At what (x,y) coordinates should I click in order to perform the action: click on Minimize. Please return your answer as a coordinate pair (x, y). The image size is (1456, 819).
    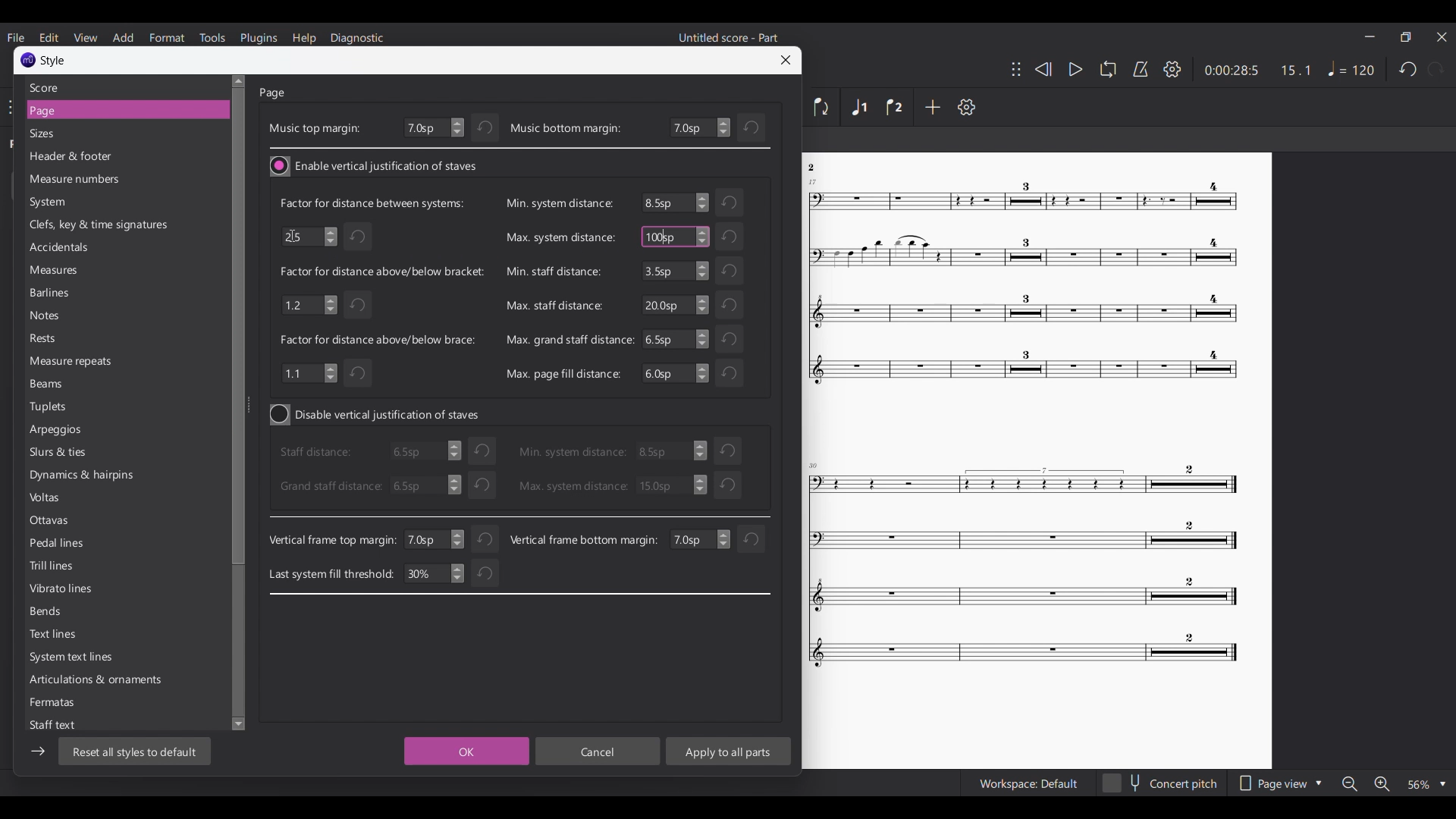
    Looking at the image, I should click on (1370, 36).